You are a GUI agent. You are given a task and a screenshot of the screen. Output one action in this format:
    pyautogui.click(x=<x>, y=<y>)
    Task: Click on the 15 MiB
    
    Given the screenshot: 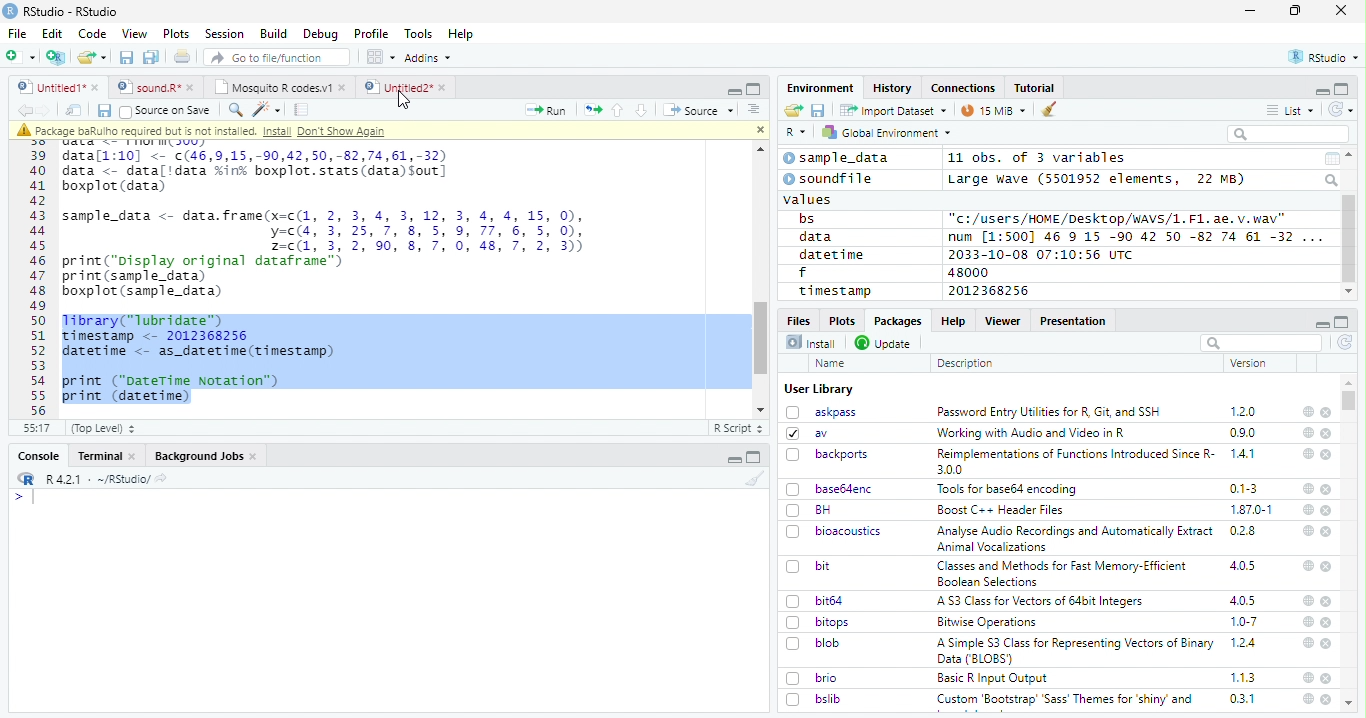 What is the action you would take?
    pyautogui.click(x=994, y=110)
    